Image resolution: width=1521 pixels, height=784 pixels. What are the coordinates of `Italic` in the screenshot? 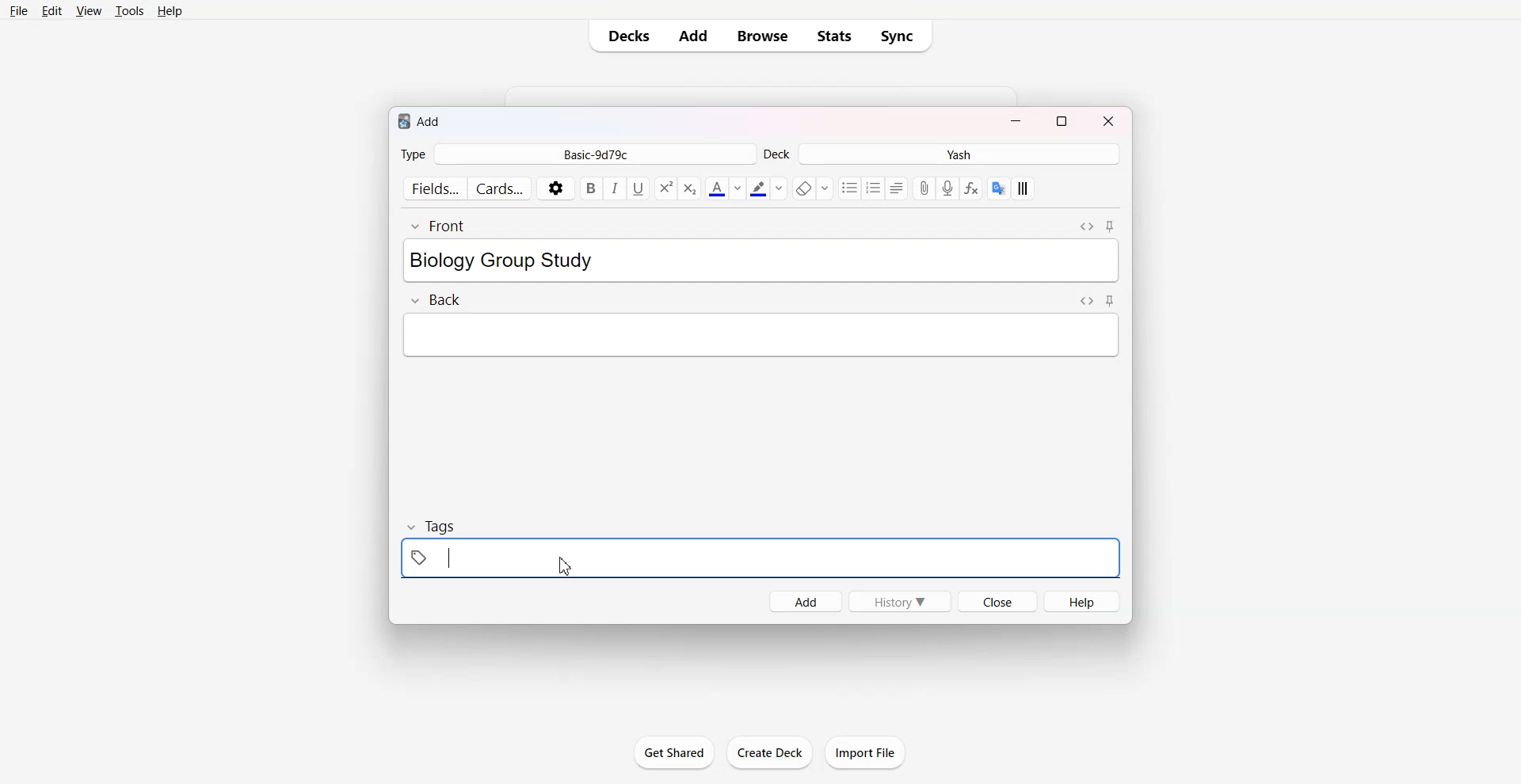 It's located at (616, 189).